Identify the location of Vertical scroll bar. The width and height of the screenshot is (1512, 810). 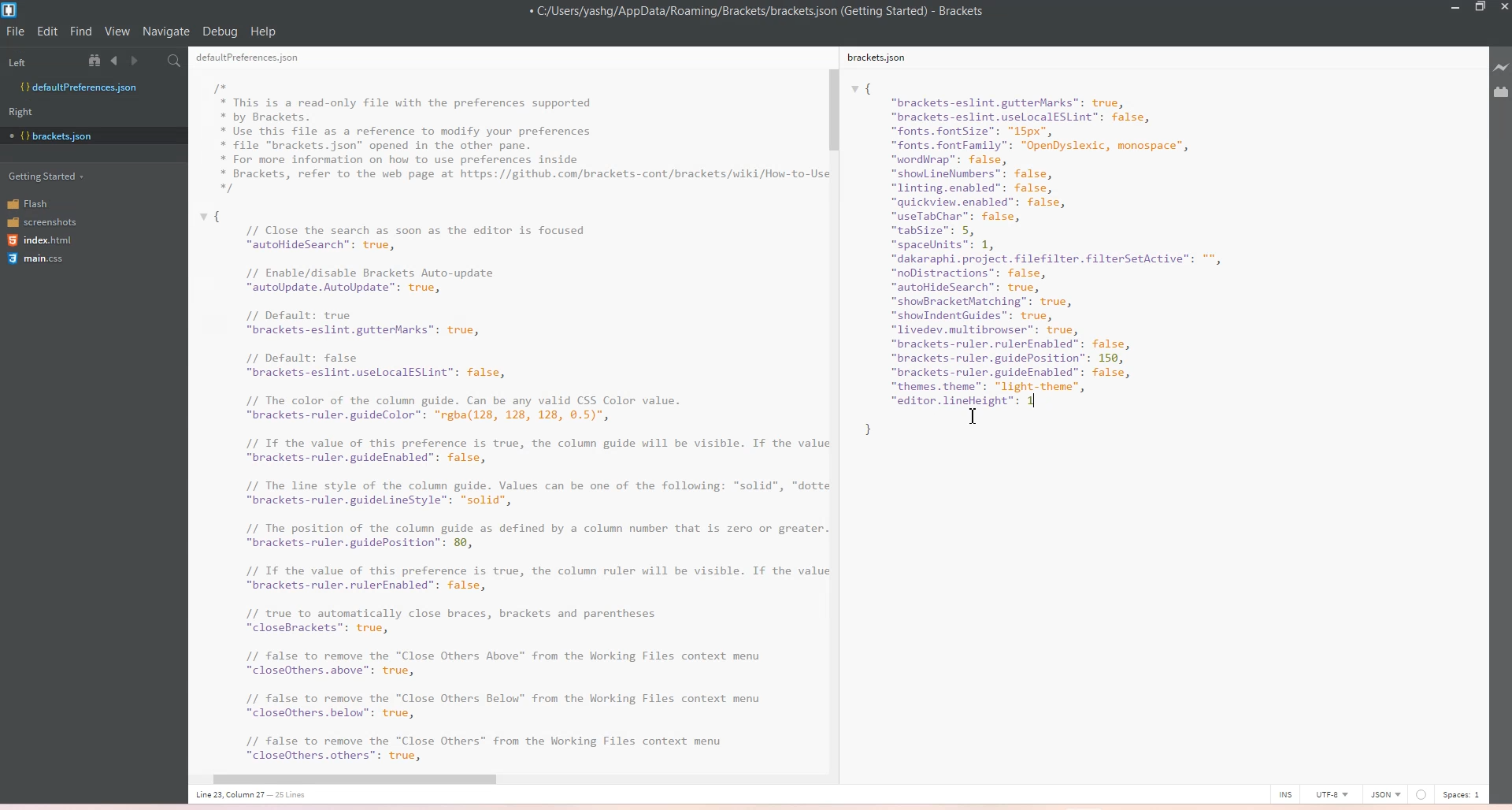
(832, 403).